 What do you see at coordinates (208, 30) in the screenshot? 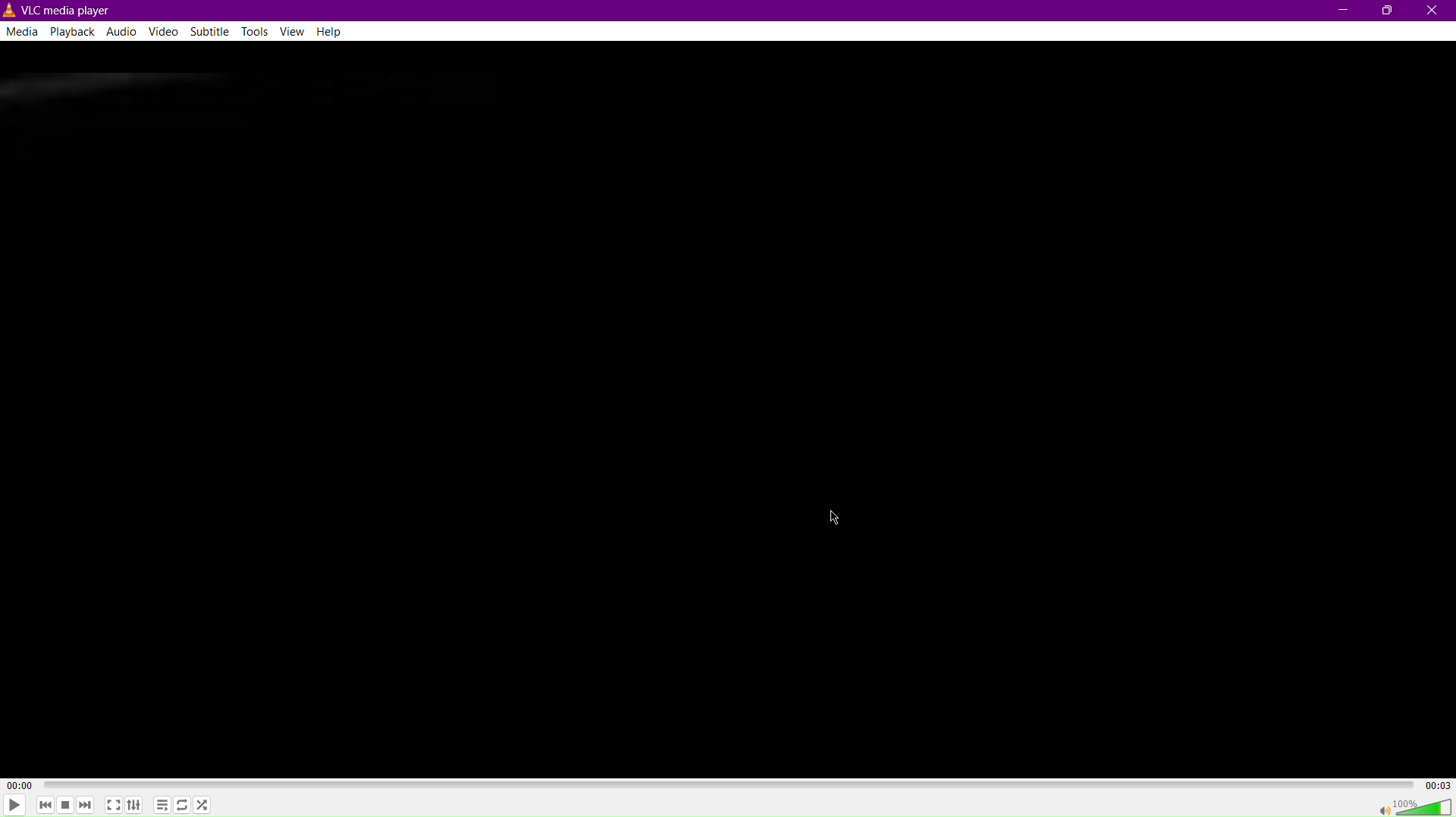
I see `Subtitle` at bounding box center [208, 30].